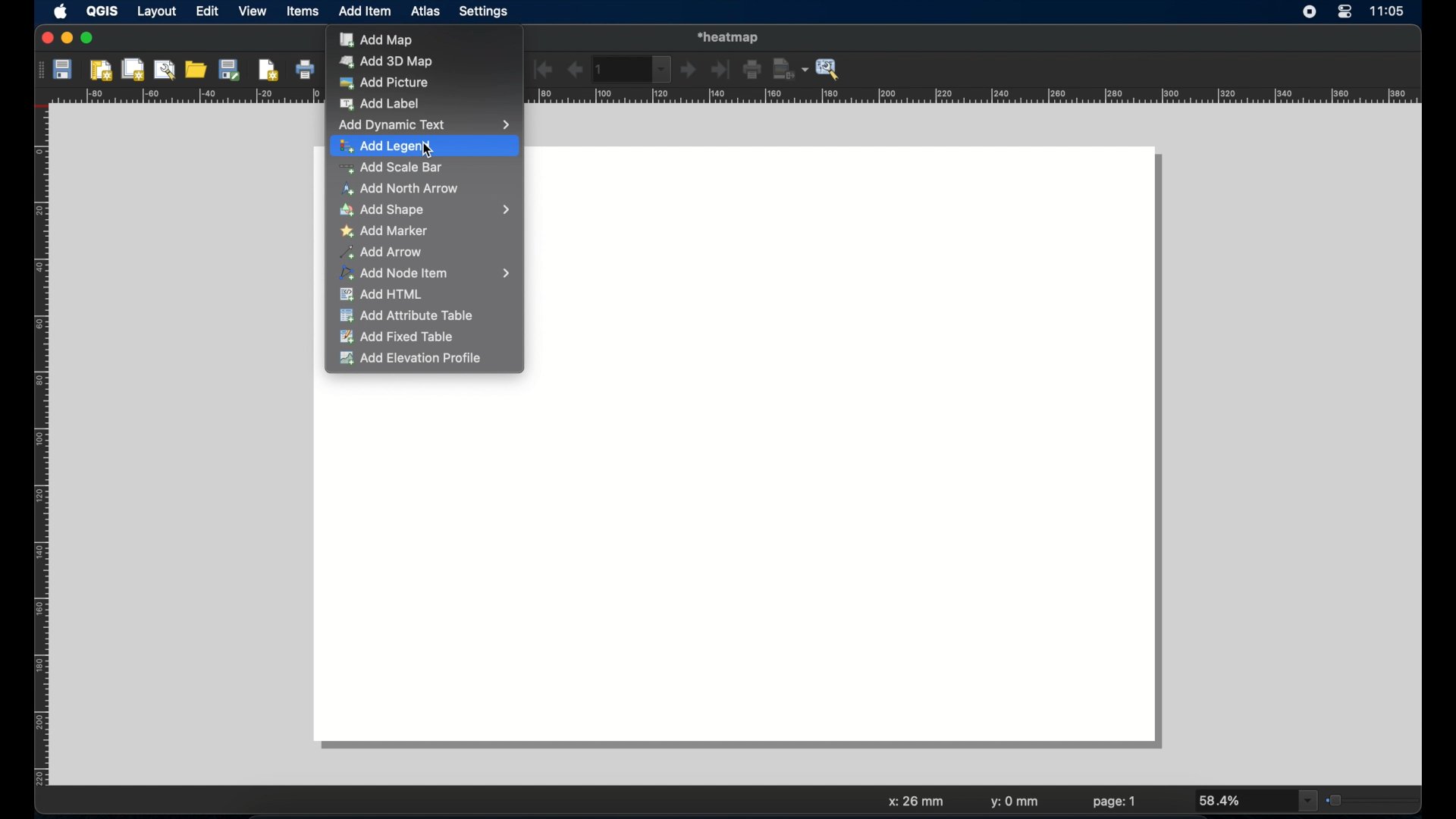 This screenshot has height=819, width=1456. I want to click on duplicate layout, so click(134, 69).